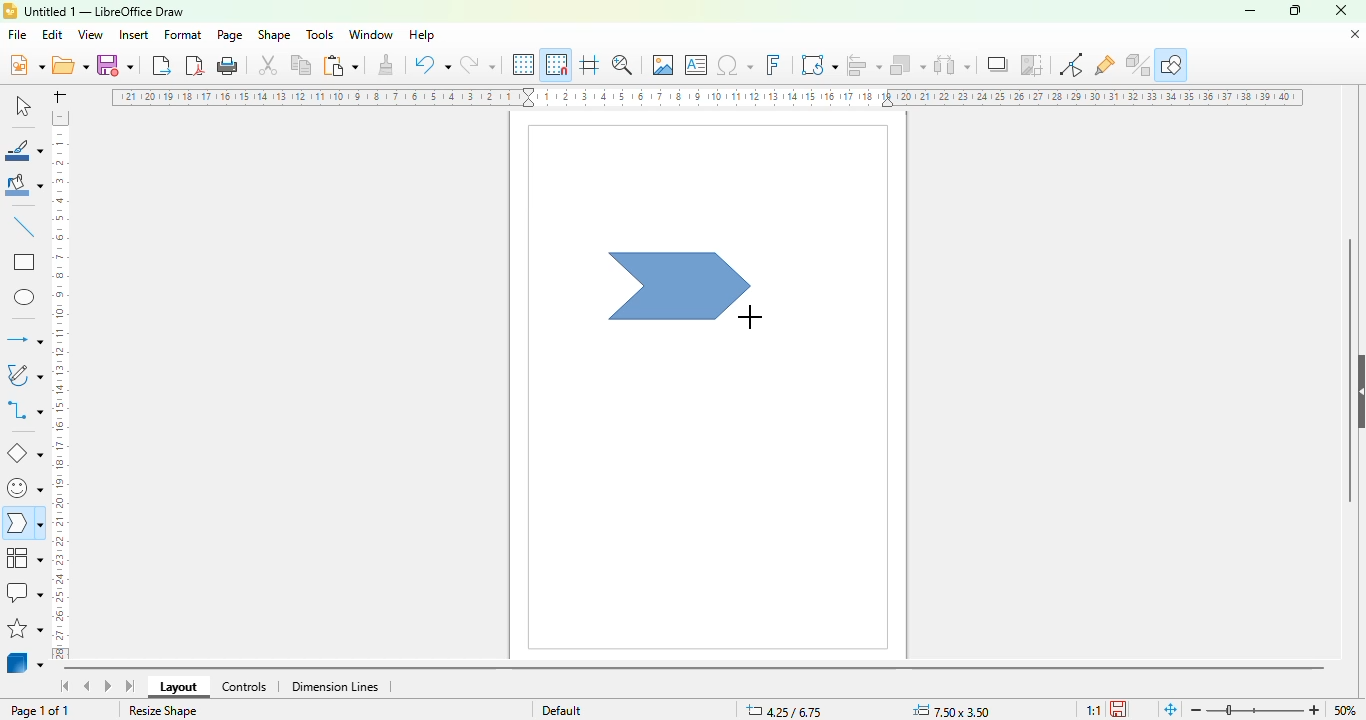 This screenshot has height=720, width=1366. I want to click on paste, so click(340, 65).